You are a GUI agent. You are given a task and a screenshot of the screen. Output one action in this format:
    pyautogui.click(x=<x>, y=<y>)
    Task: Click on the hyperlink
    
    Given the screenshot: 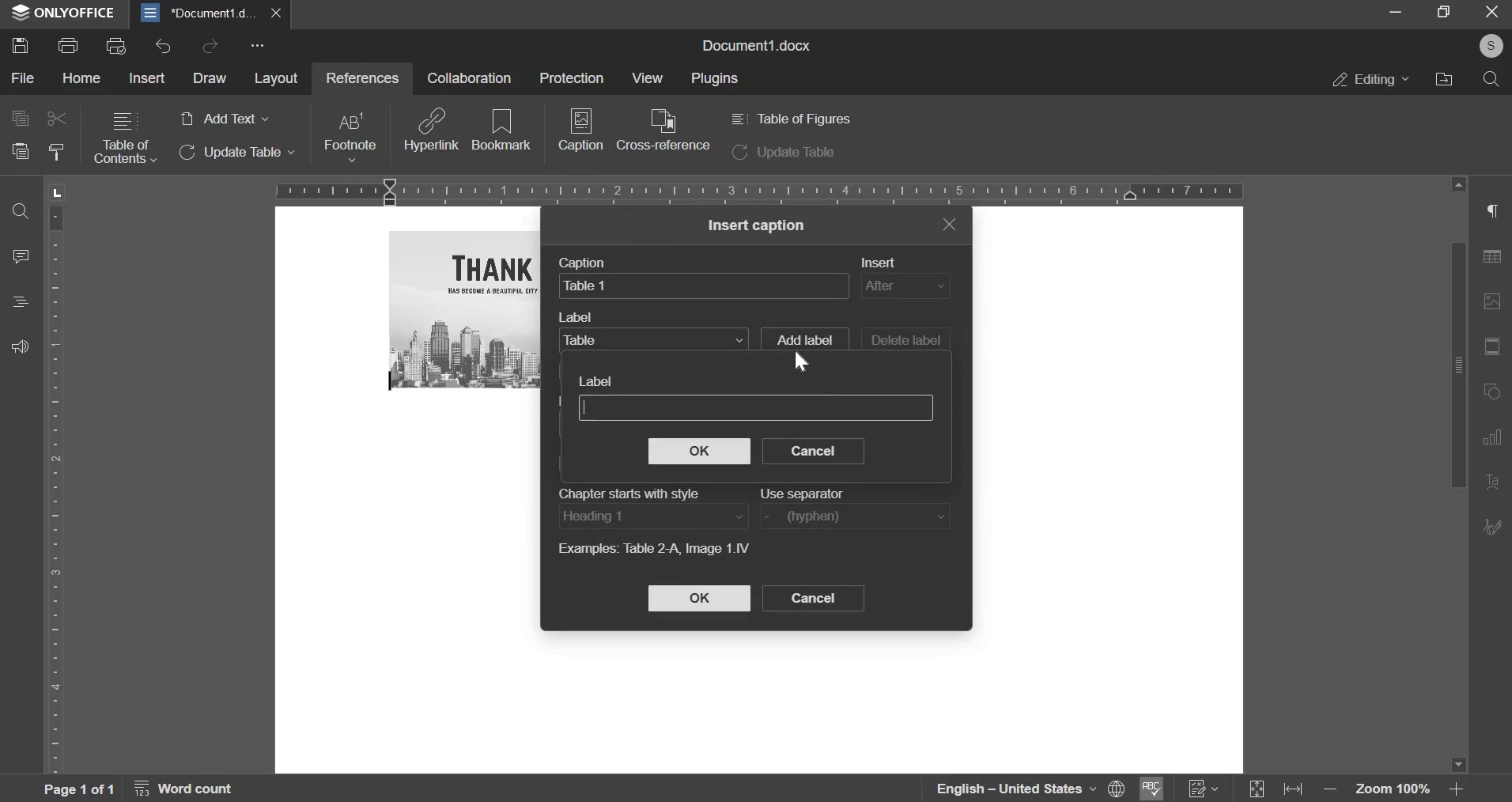 What is the action you would take?
    pyautogui.click(x=432, y=129)
    